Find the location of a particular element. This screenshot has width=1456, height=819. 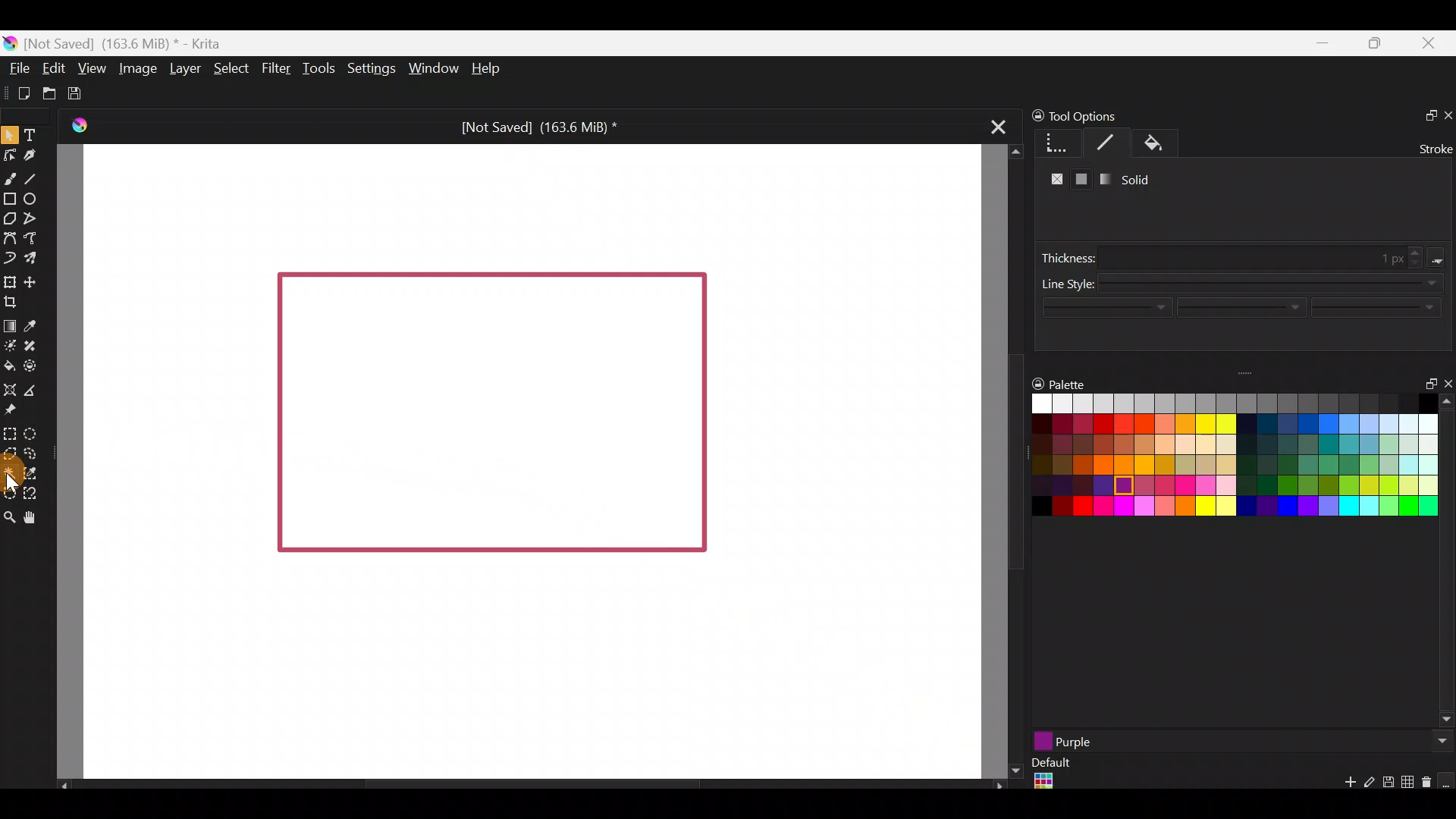

Select is located at coordinates (230, 68).